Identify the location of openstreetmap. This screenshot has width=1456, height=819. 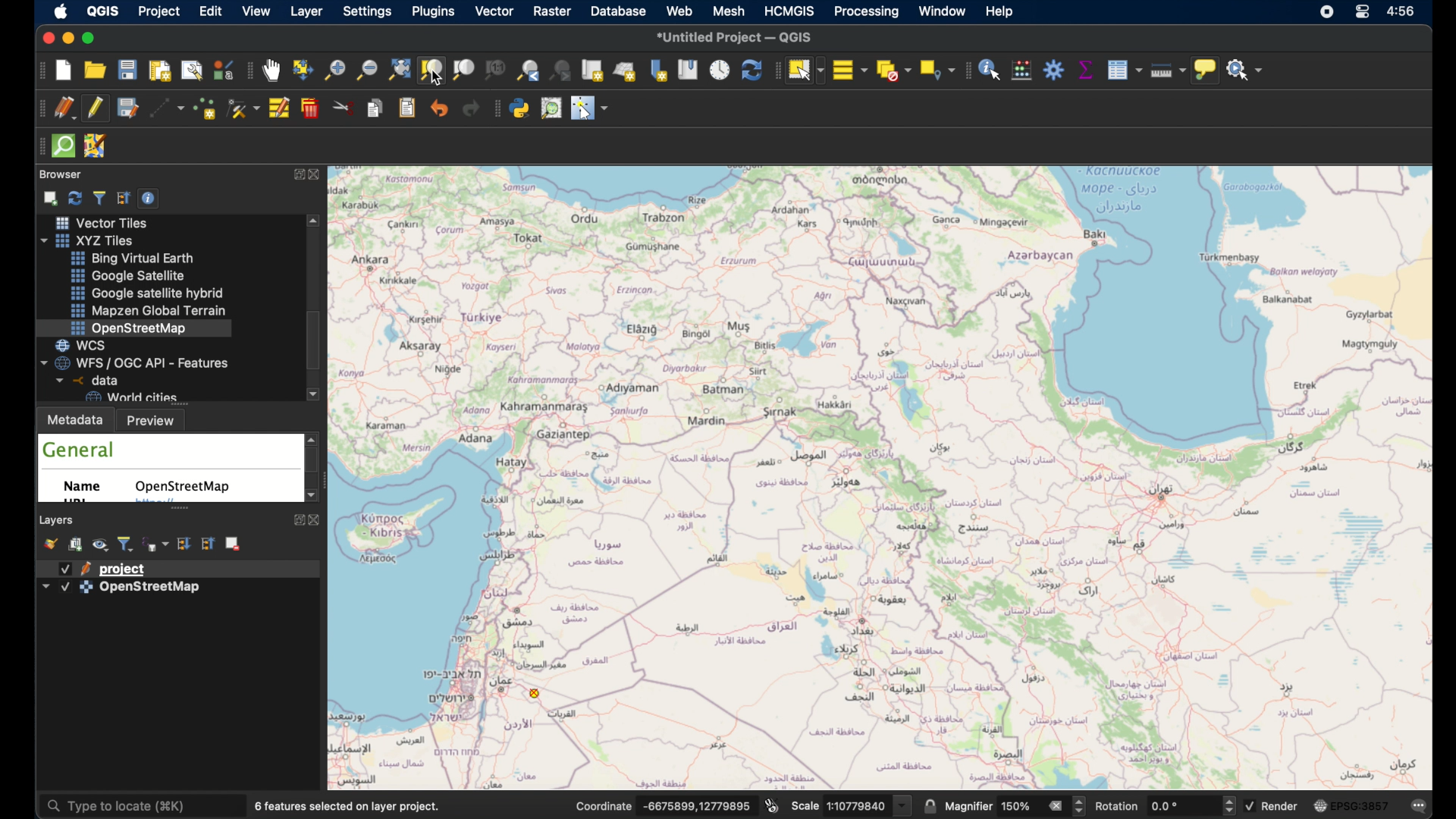
(186, 487).